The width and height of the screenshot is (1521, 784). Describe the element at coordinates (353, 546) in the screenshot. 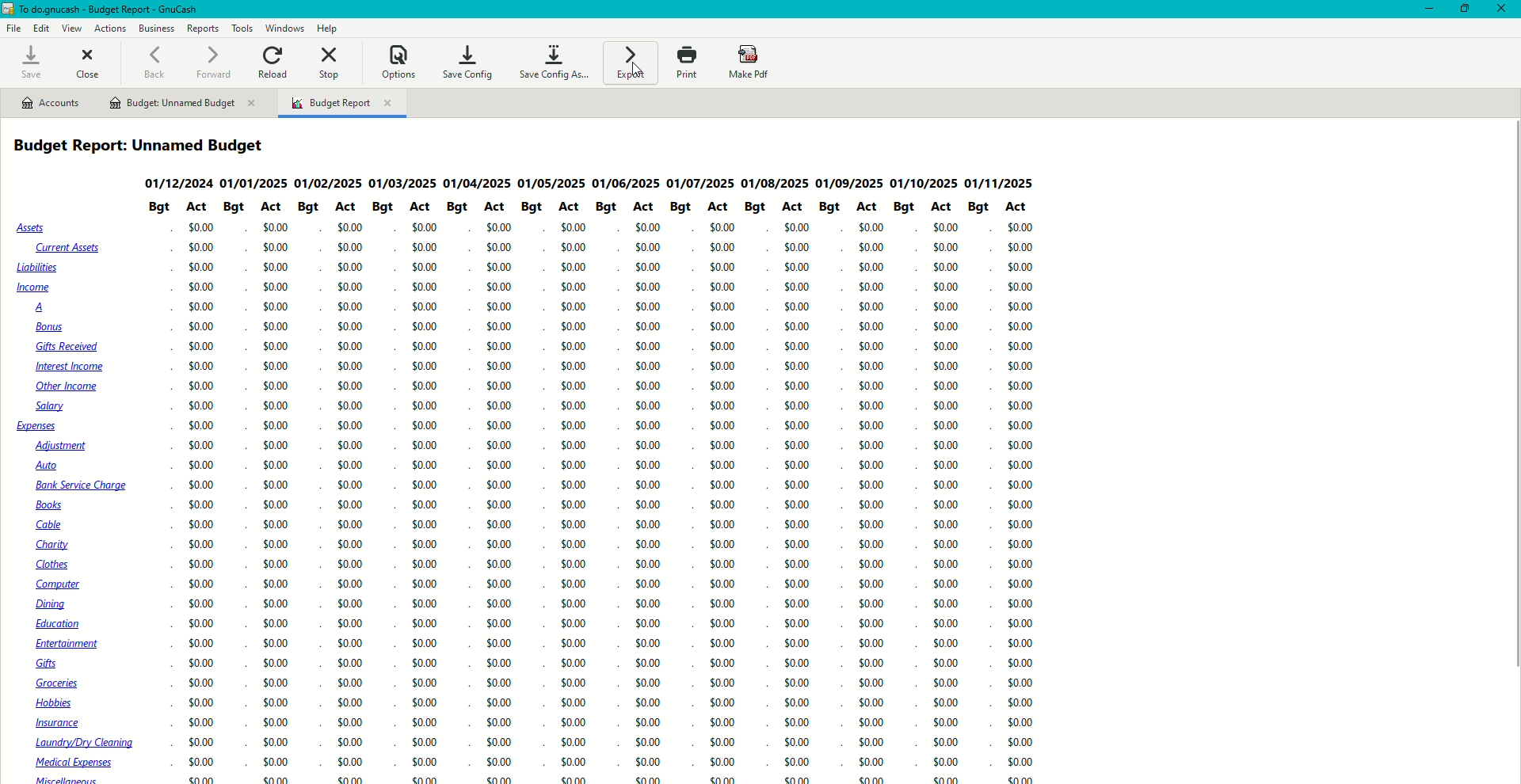

I see `$0.00` at that location.